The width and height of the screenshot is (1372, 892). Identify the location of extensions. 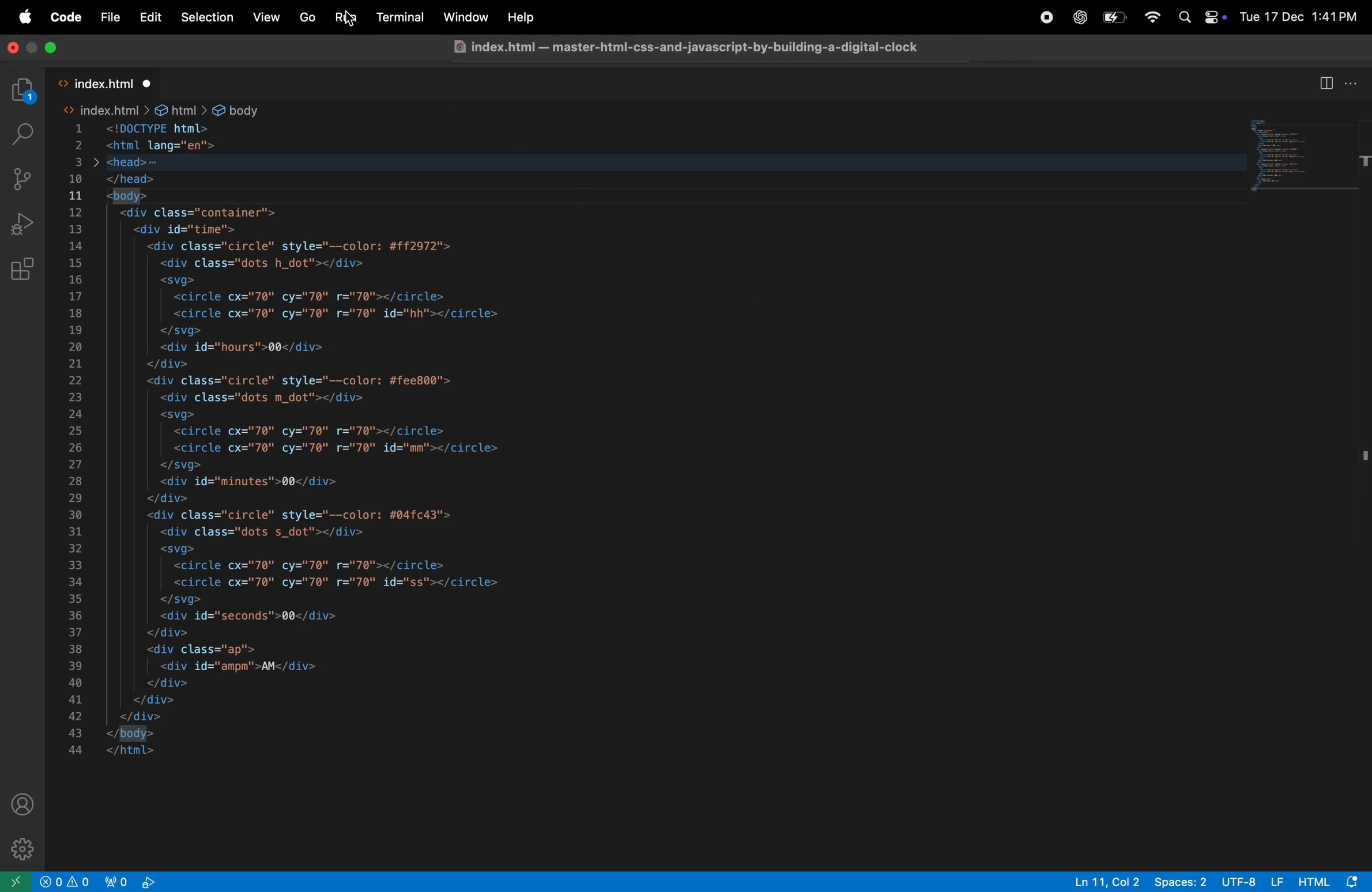
(24, 267).